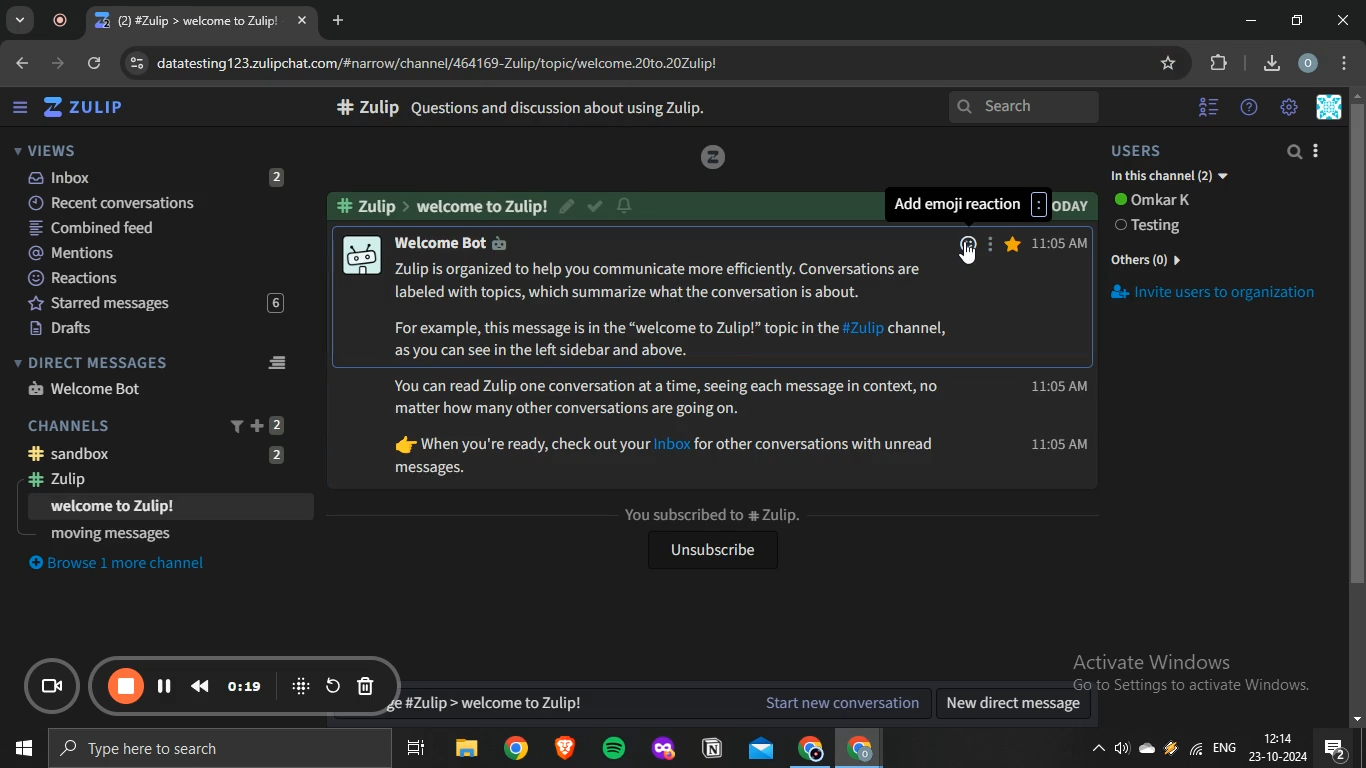 Image resolution: width=1366 pixels, height=768 pixels. I want to click on newdirect message, so click(1019, 705).